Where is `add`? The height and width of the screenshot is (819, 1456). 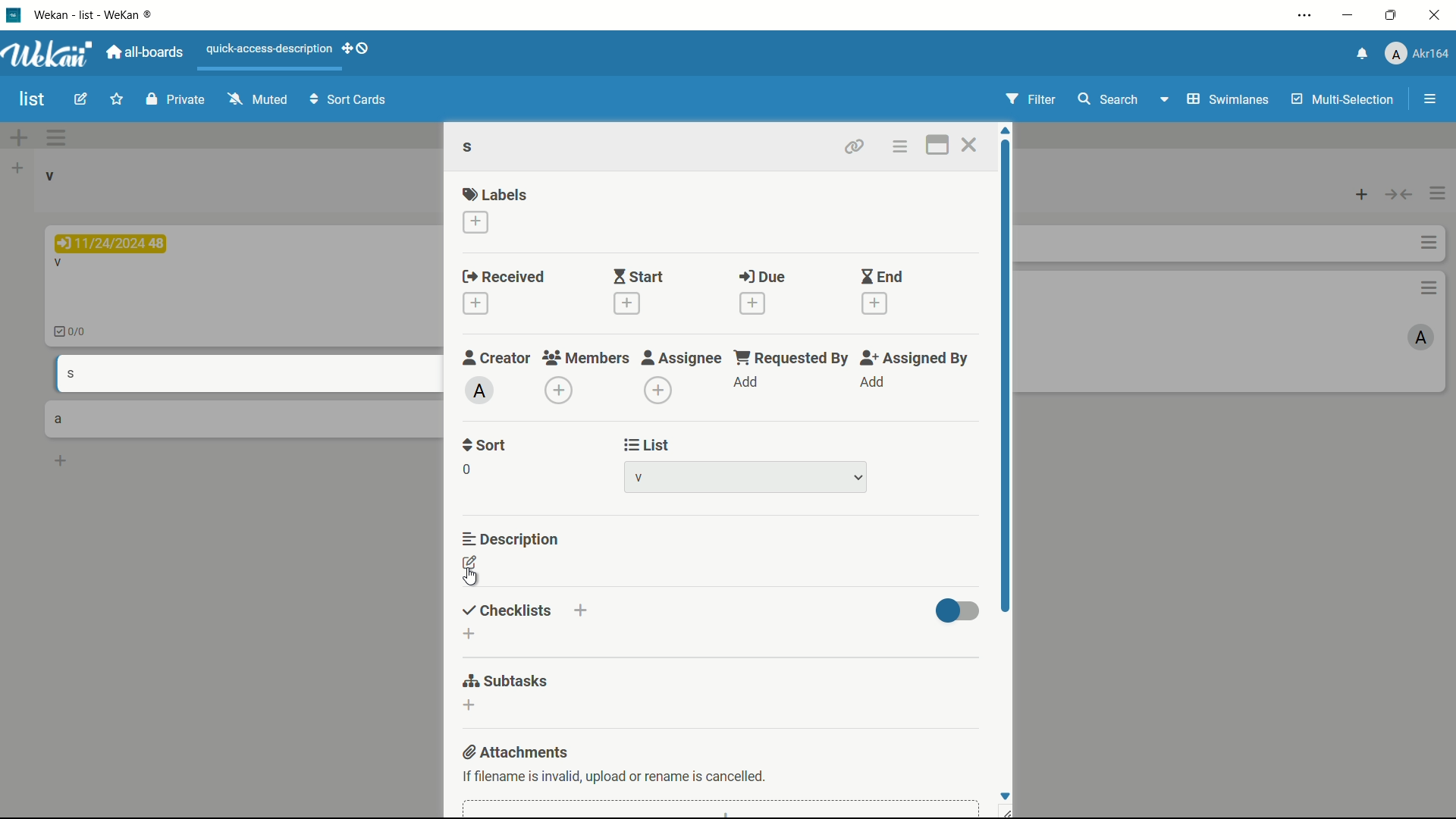 add is located at coordinates (874, 383).